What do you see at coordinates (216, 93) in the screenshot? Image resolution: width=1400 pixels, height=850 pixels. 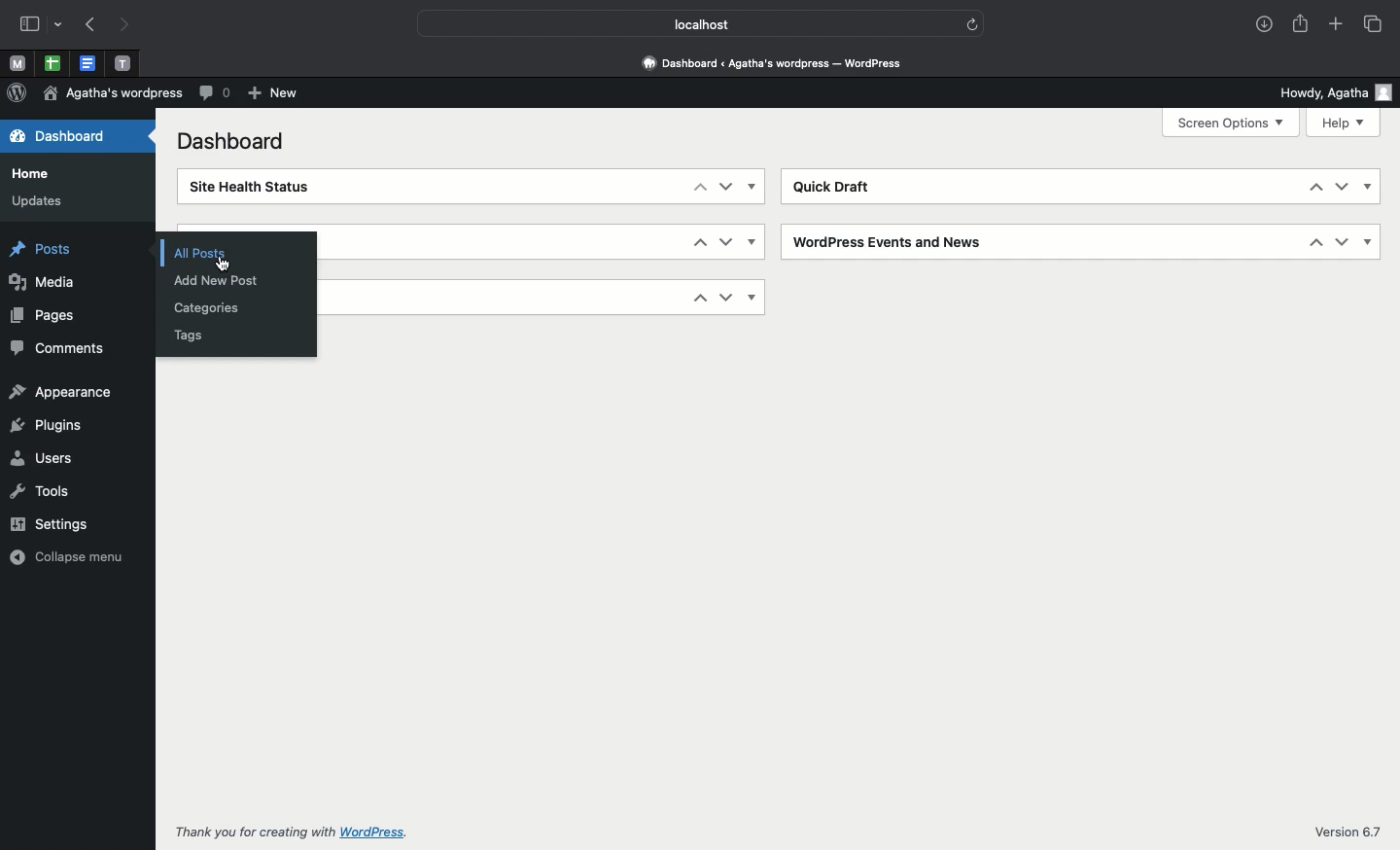 I see `Comment` at bounding box center [216, 93].